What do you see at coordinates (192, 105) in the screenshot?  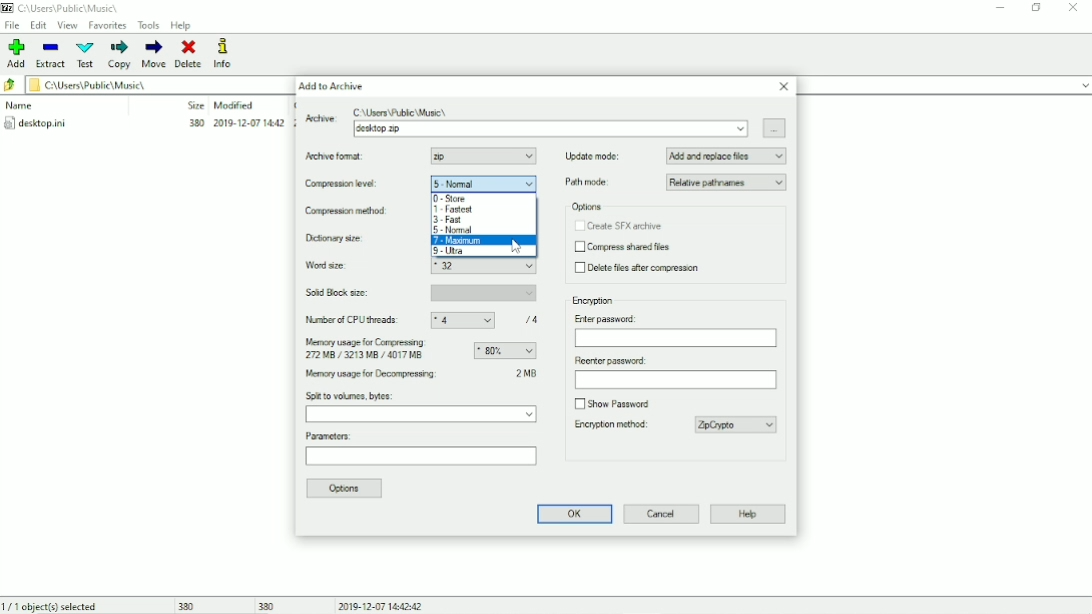 I see `Size` at bounding box center [192, 105].